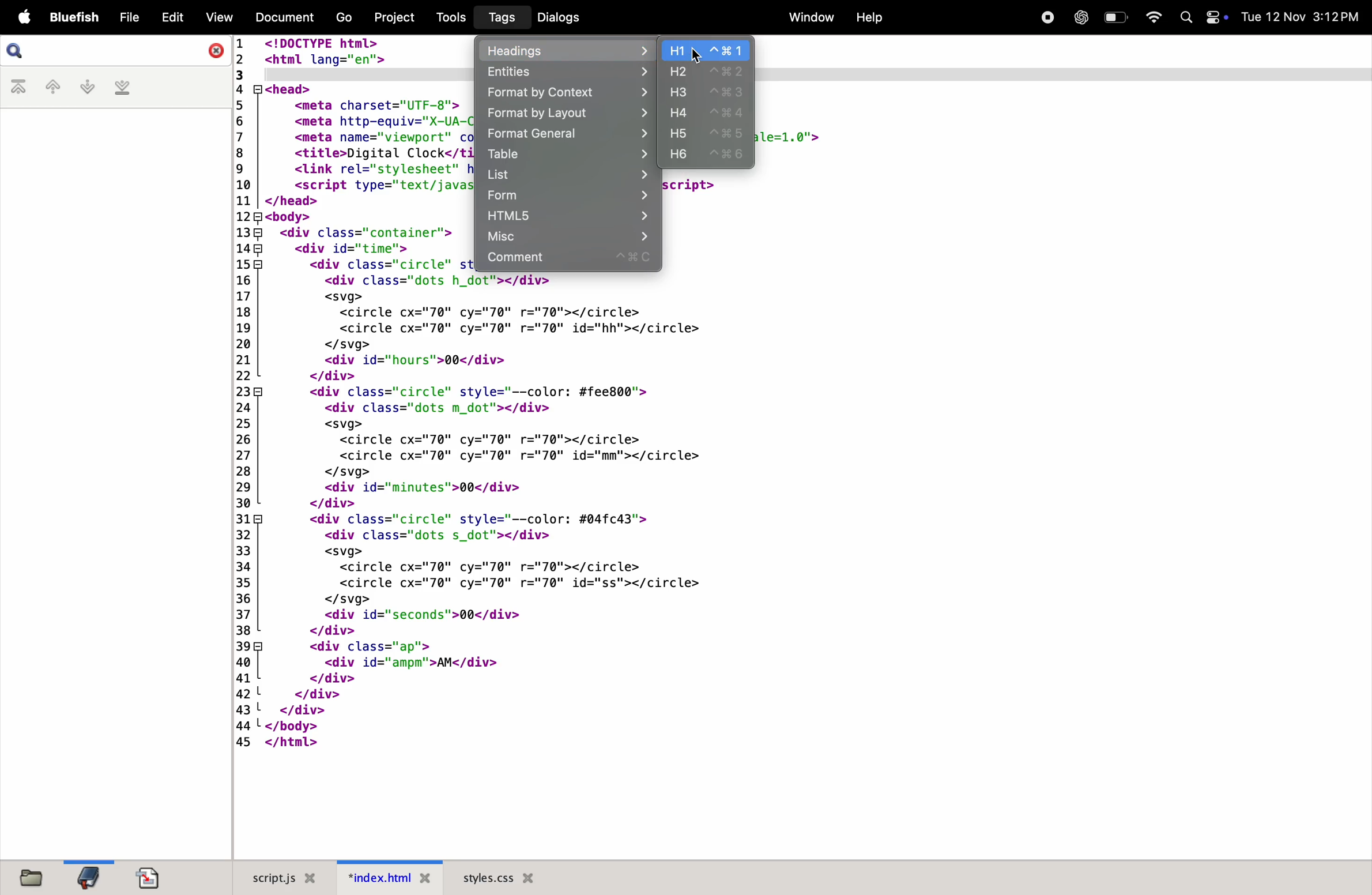 The image size is (1372, 895). I want to click on format by context, so click(566, 93).